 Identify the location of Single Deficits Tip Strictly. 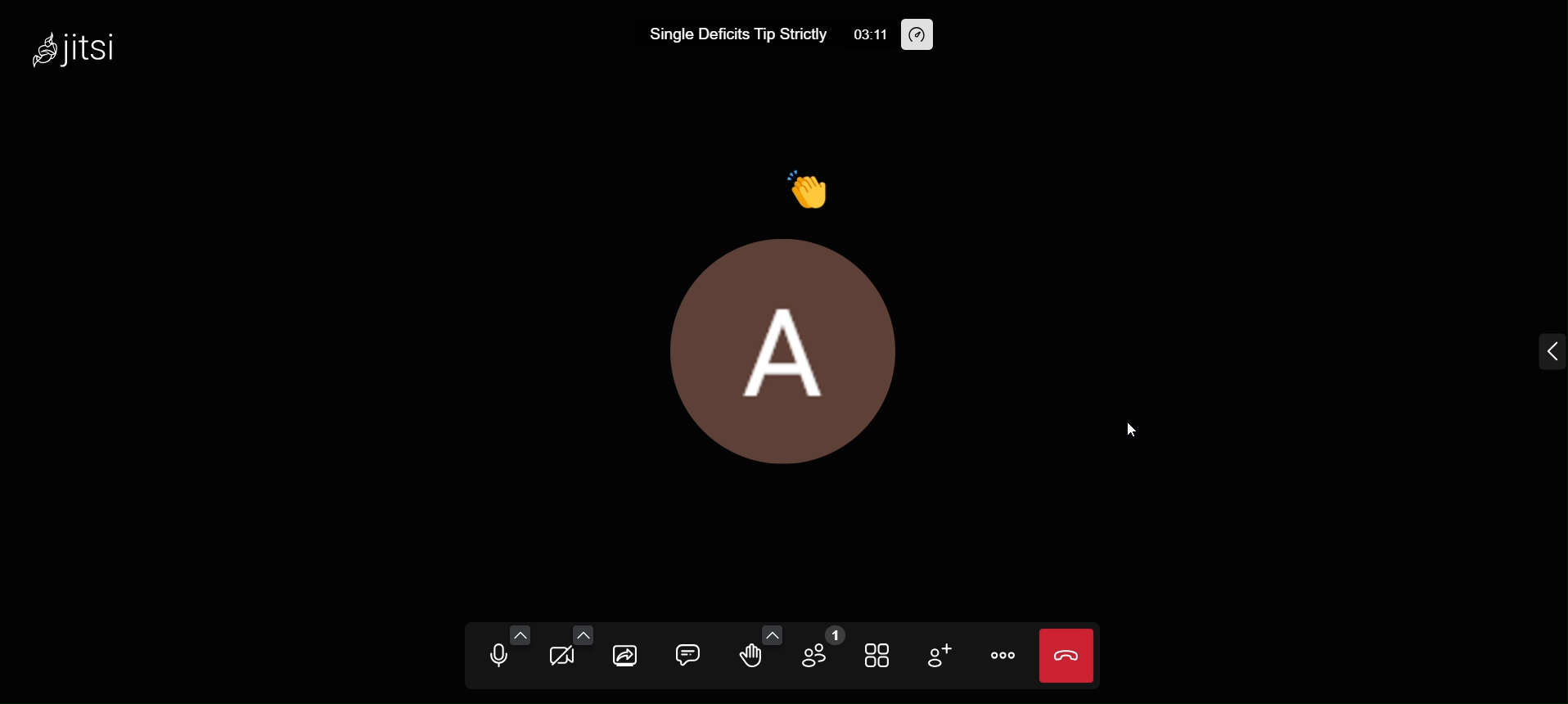
(729, 36).